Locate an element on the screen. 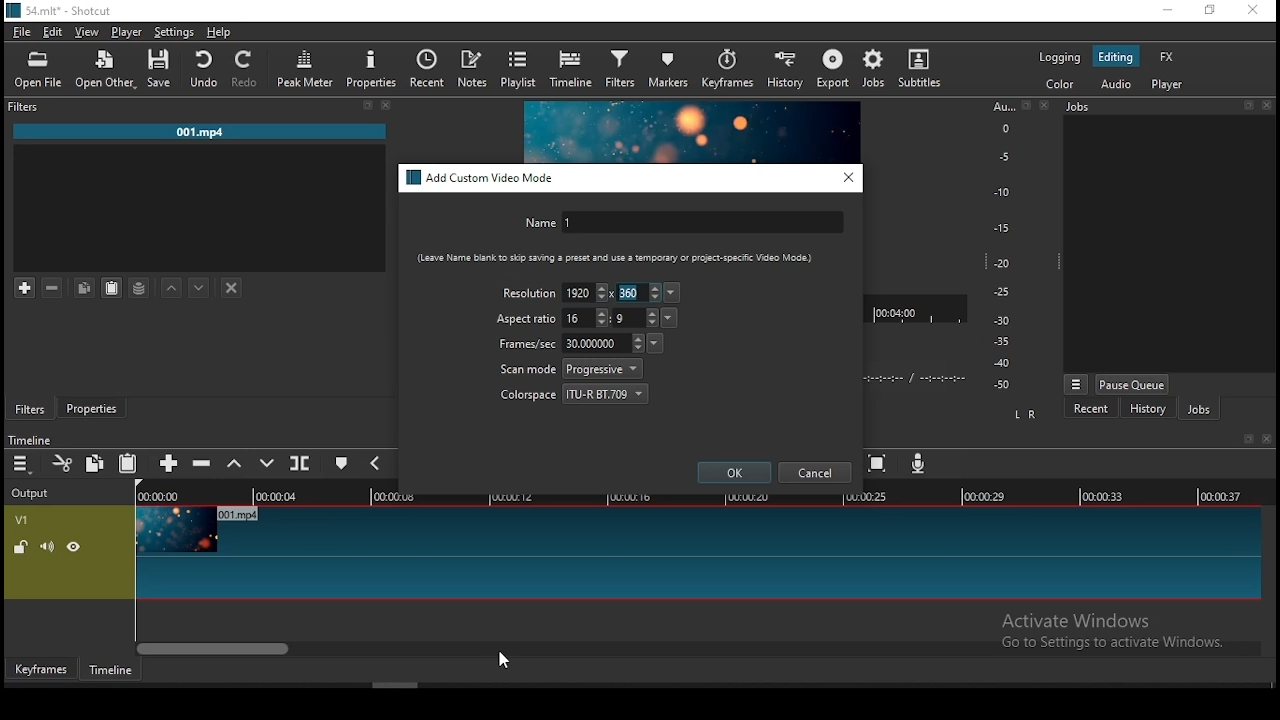 This screenshot has width=1280, height=720. remove selected filters is located at coordinates (53, 288).